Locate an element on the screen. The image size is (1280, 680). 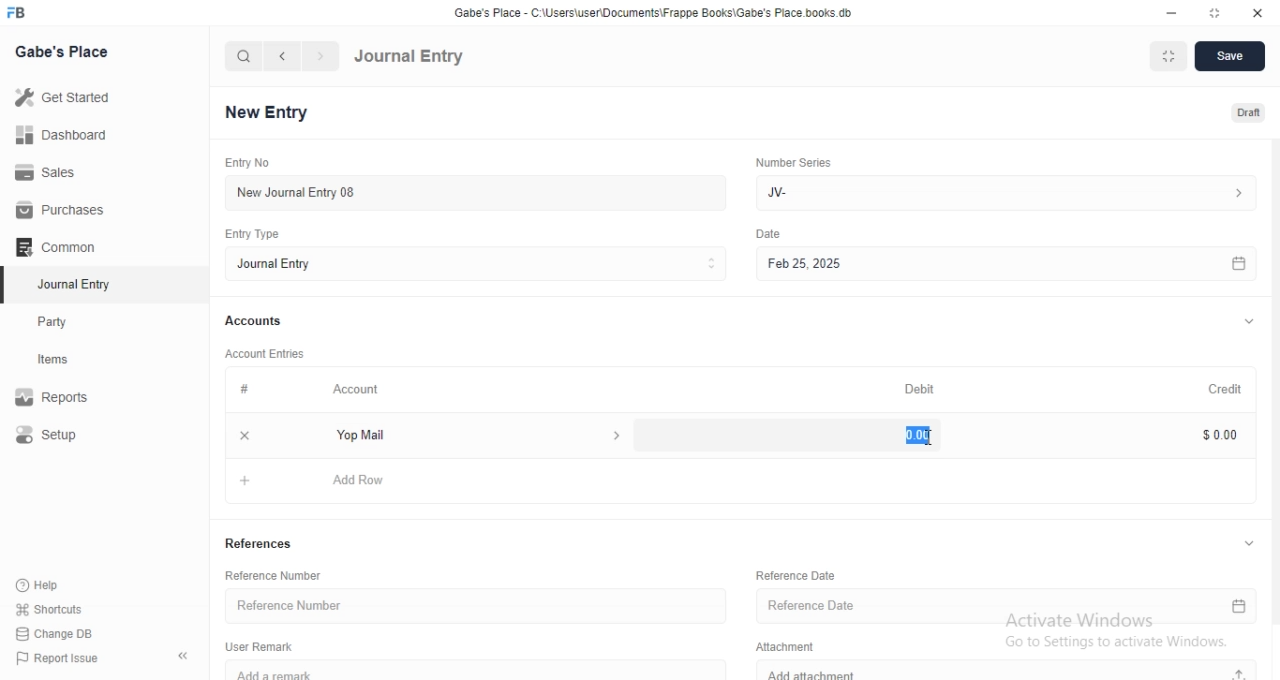
navigate forward is located at coordinates (321, 56).